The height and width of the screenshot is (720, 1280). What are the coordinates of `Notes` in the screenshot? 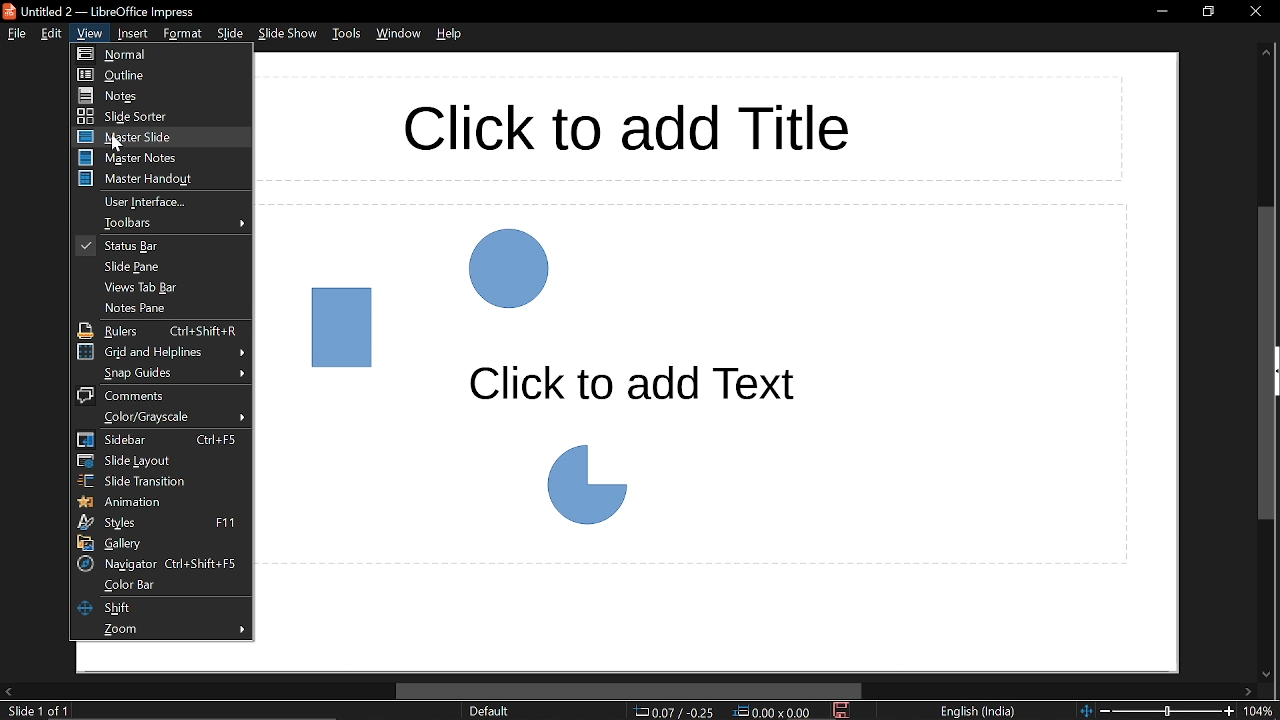 It's located at (155, 95).